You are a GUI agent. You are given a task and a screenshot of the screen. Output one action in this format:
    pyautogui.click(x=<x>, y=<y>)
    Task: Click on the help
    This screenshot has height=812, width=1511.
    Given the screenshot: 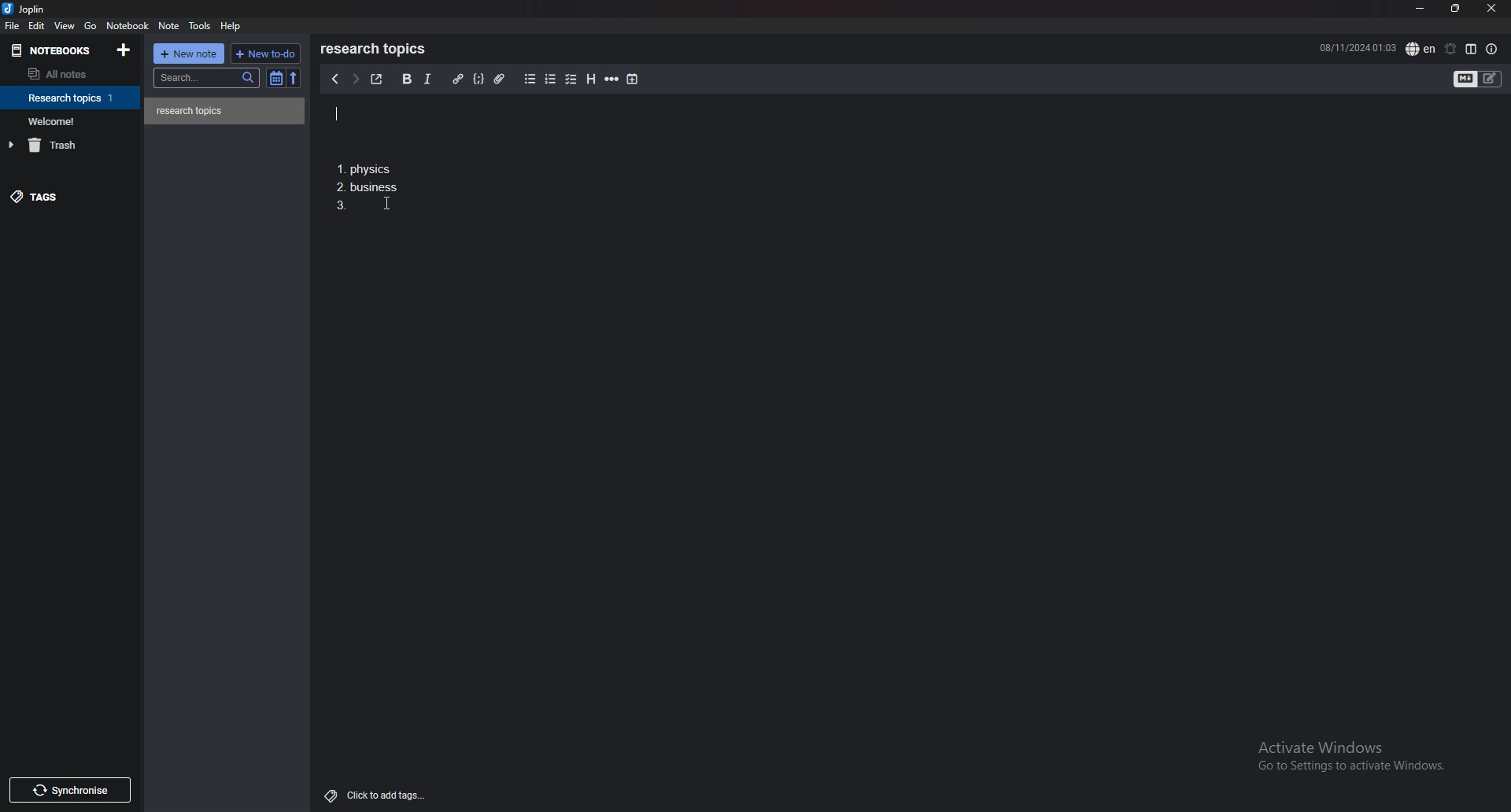 What is the action you would take?
    pyautogui.click(x=233, y=25)
    